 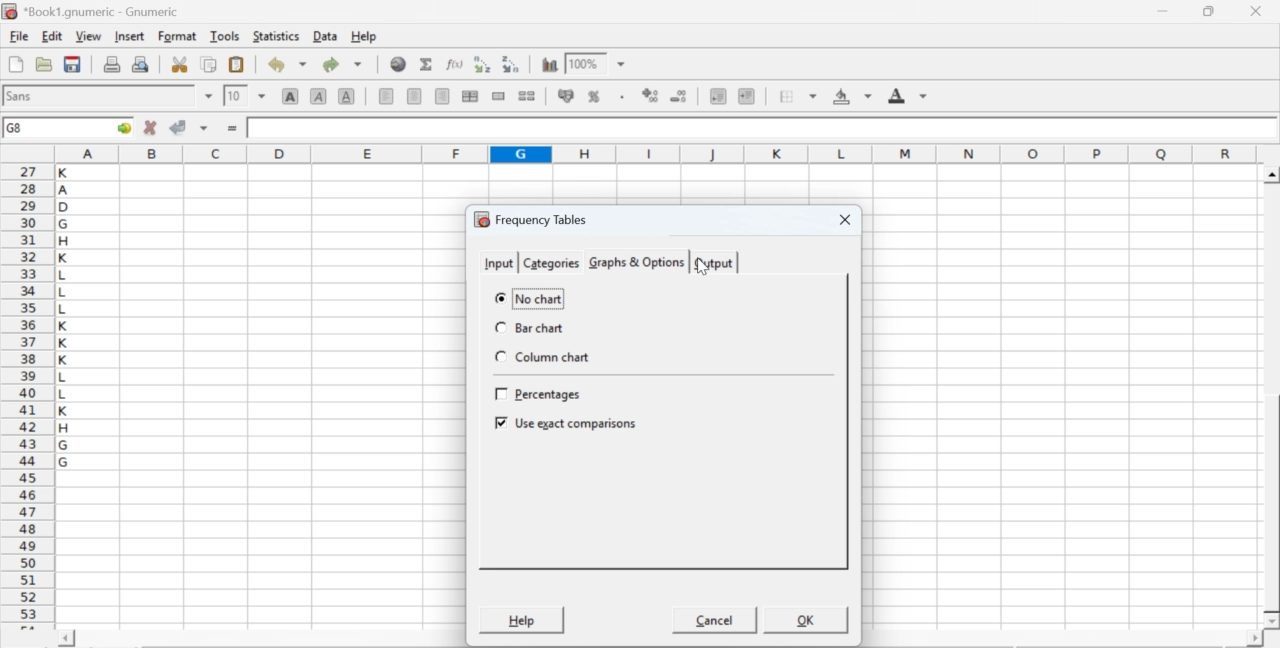 I want to click on align right, so click(x=442, y=97).